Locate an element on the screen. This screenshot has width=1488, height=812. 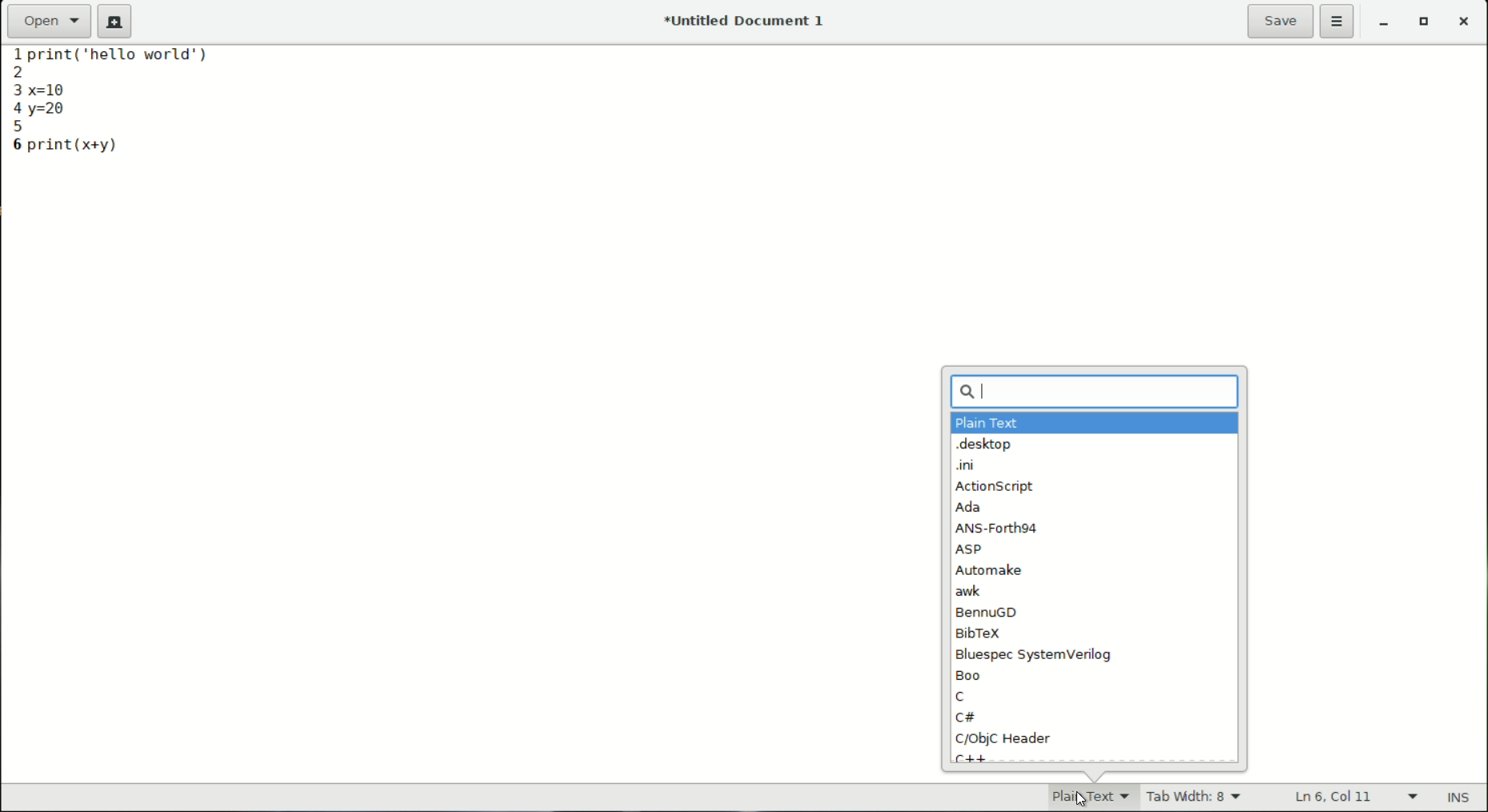
boo is located at coordinates (973, 674).